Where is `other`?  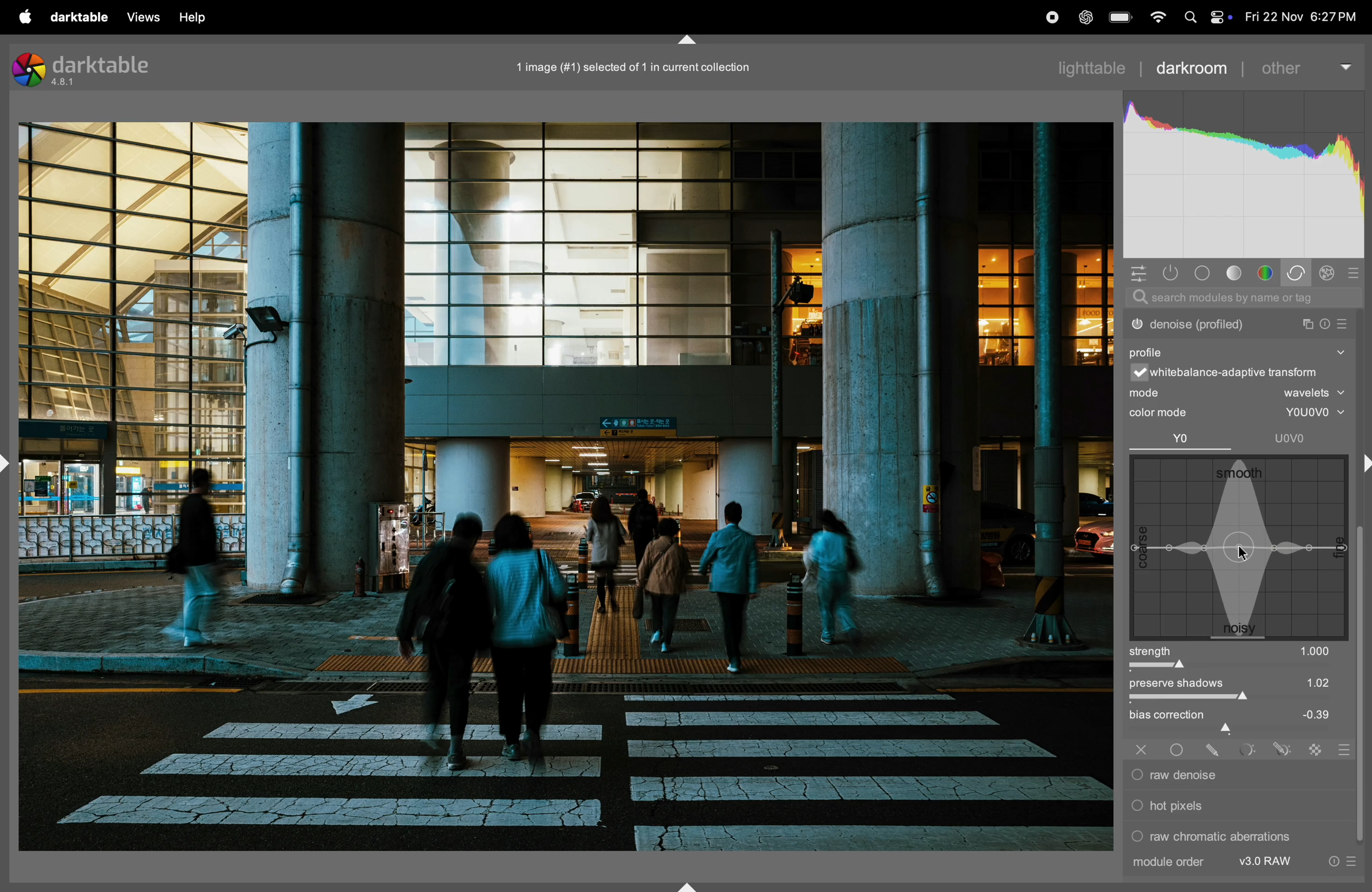
other is located at coordinates (1303, 66).